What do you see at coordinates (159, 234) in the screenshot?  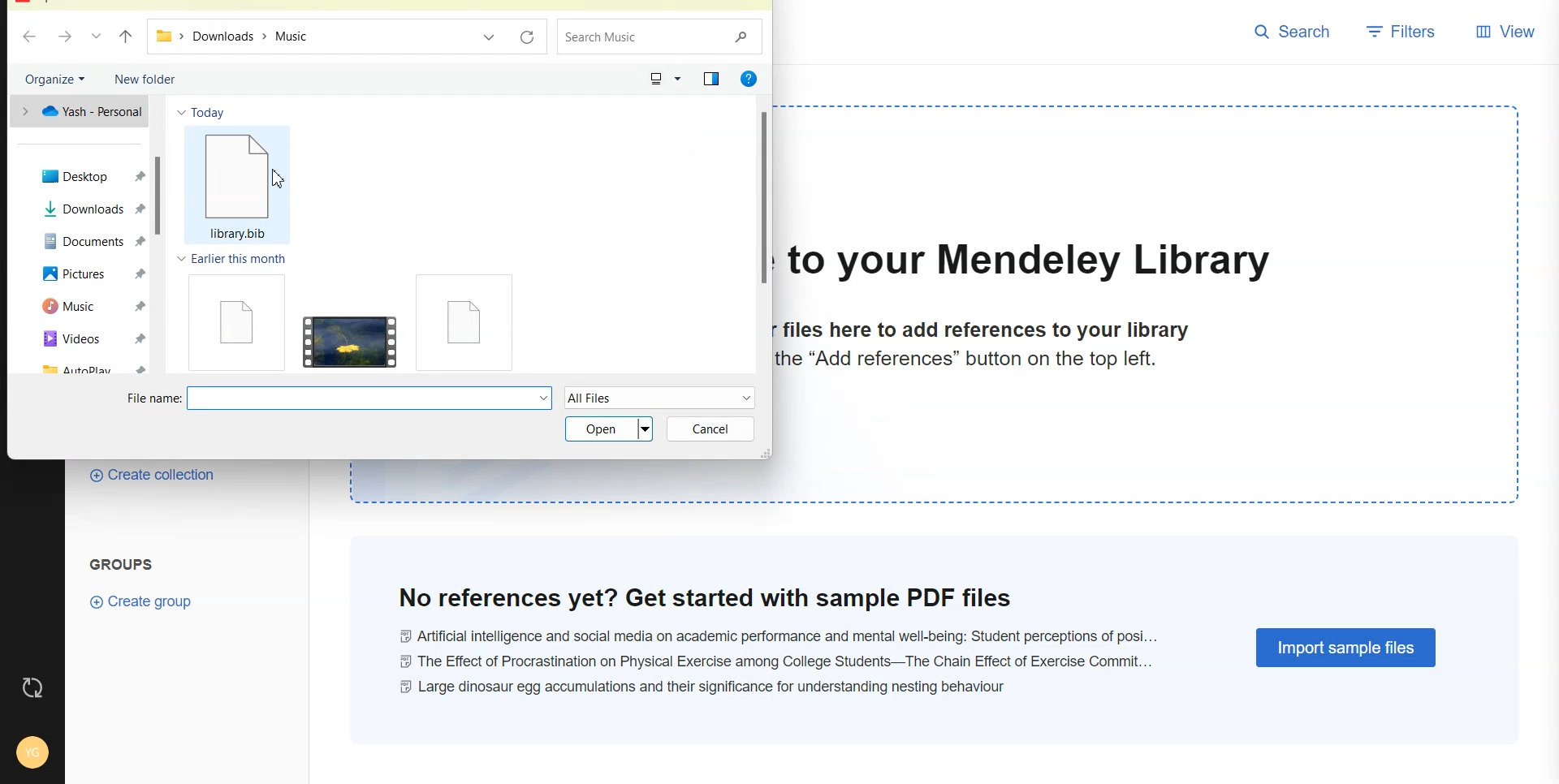 I see `Vertical scroll bar` at bounding box center [159, 234].